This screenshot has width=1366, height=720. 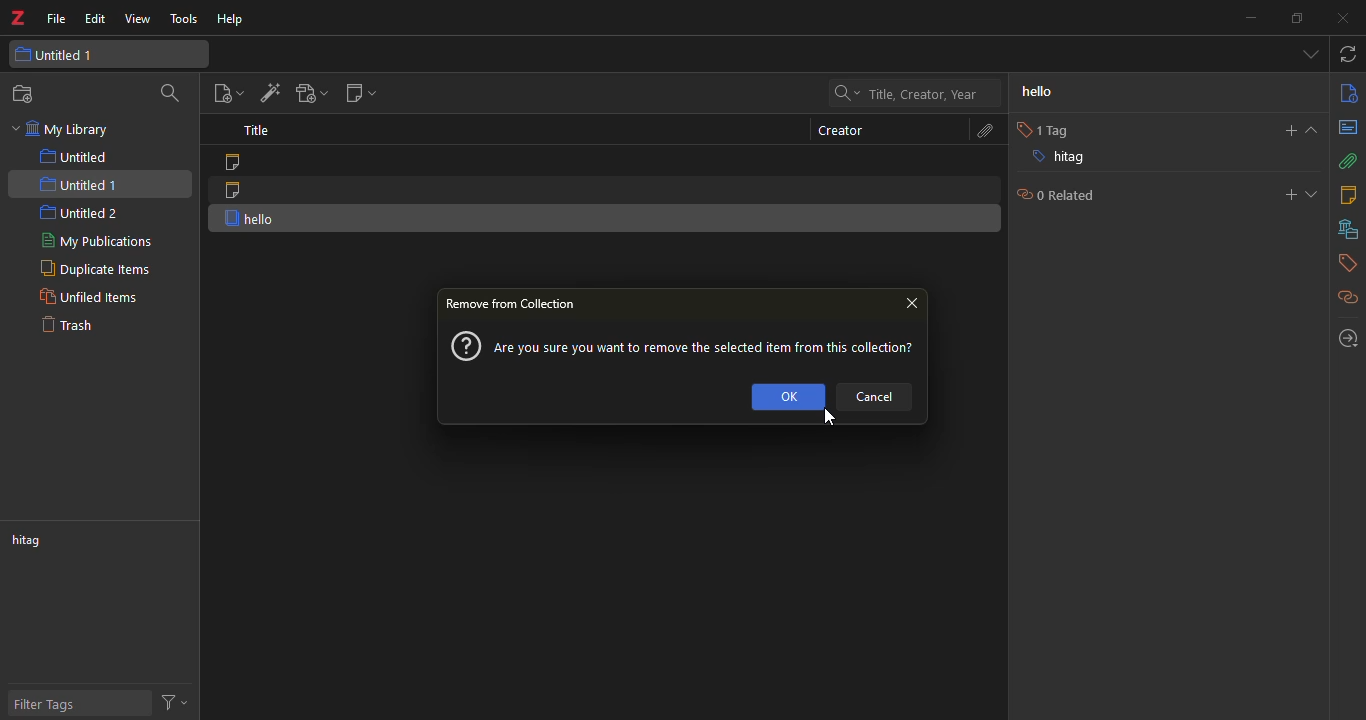 I want to click on filter tags, so click(x=49, y=706).